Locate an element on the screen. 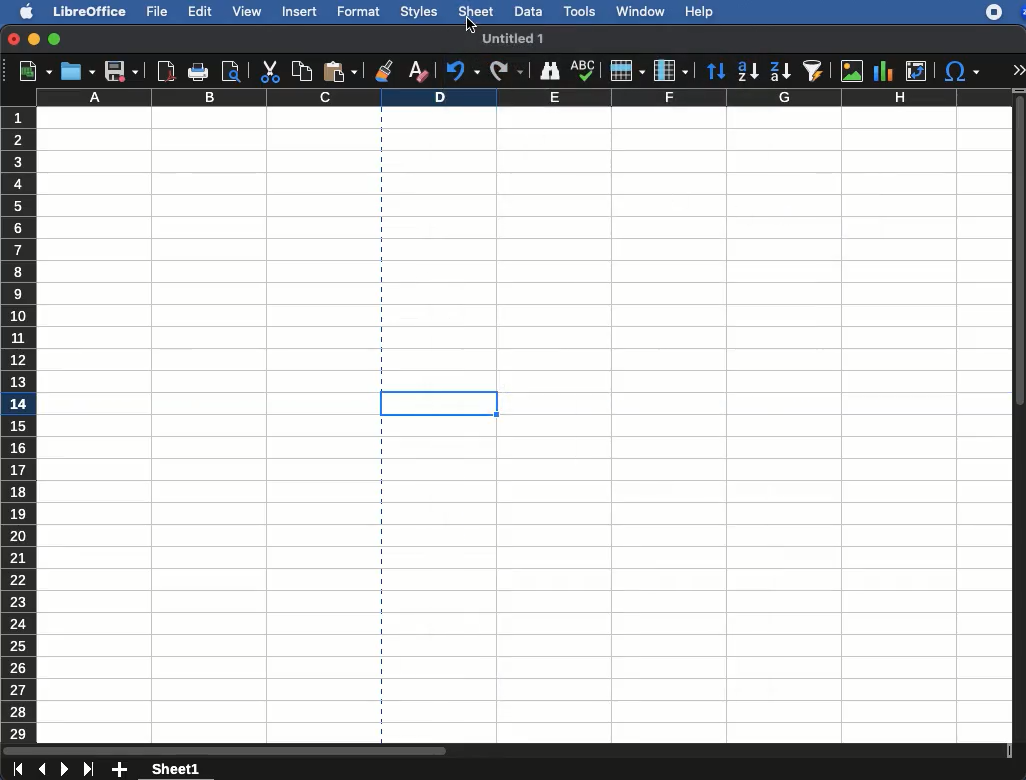  help is located at coordinates (700, 12).